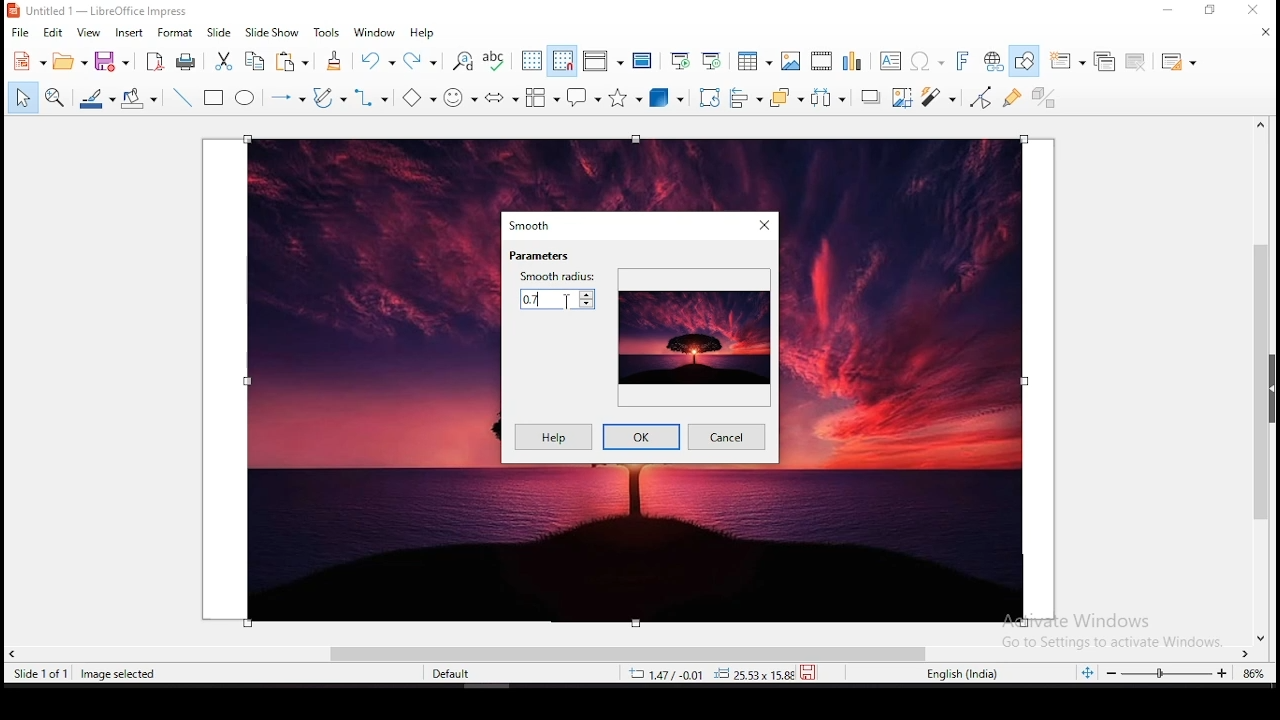 This screenshot has height=720, width=1280. What do you see at coordinates (53, 98) in the screenshot?
I see `zoom and pan` at bounding box center [53, 98].